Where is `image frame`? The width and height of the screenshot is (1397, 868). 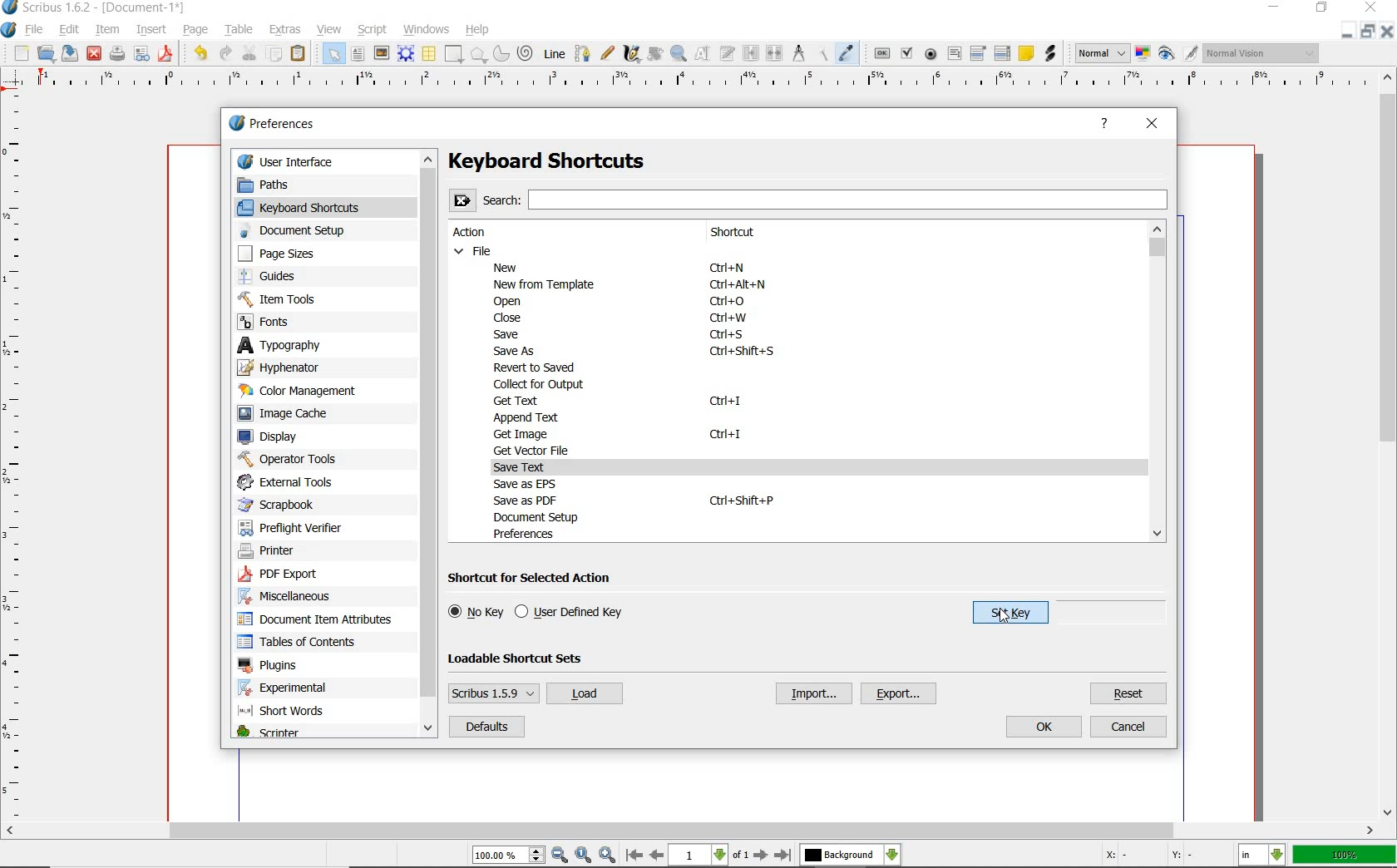 image frame is located at coordinates (382, 55).